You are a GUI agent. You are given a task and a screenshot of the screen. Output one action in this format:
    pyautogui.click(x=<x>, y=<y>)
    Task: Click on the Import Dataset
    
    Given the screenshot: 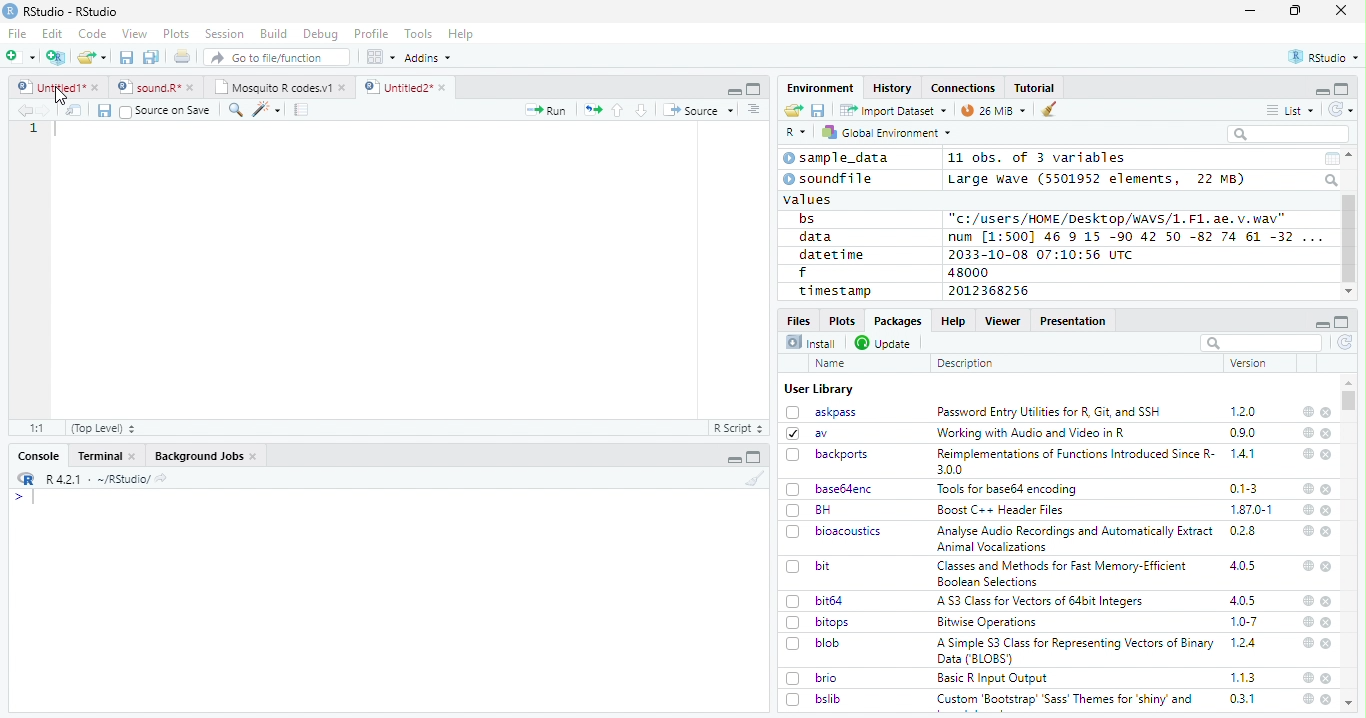 What is the action you would take?
    pyautogui.click(x=893, y=110)
    